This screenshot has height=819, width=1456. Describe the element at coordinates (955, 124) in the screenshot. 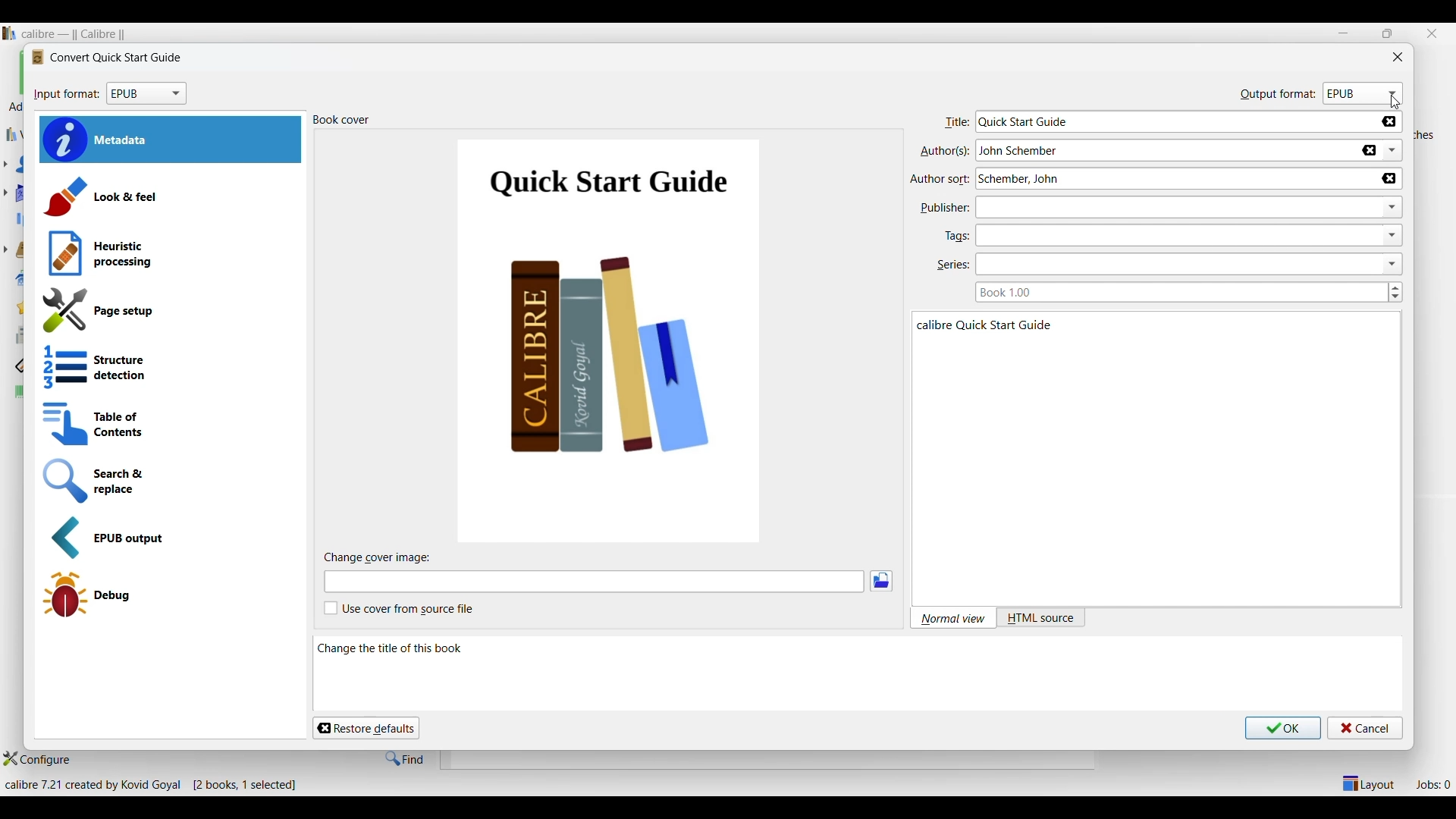

I see `title` at that location.